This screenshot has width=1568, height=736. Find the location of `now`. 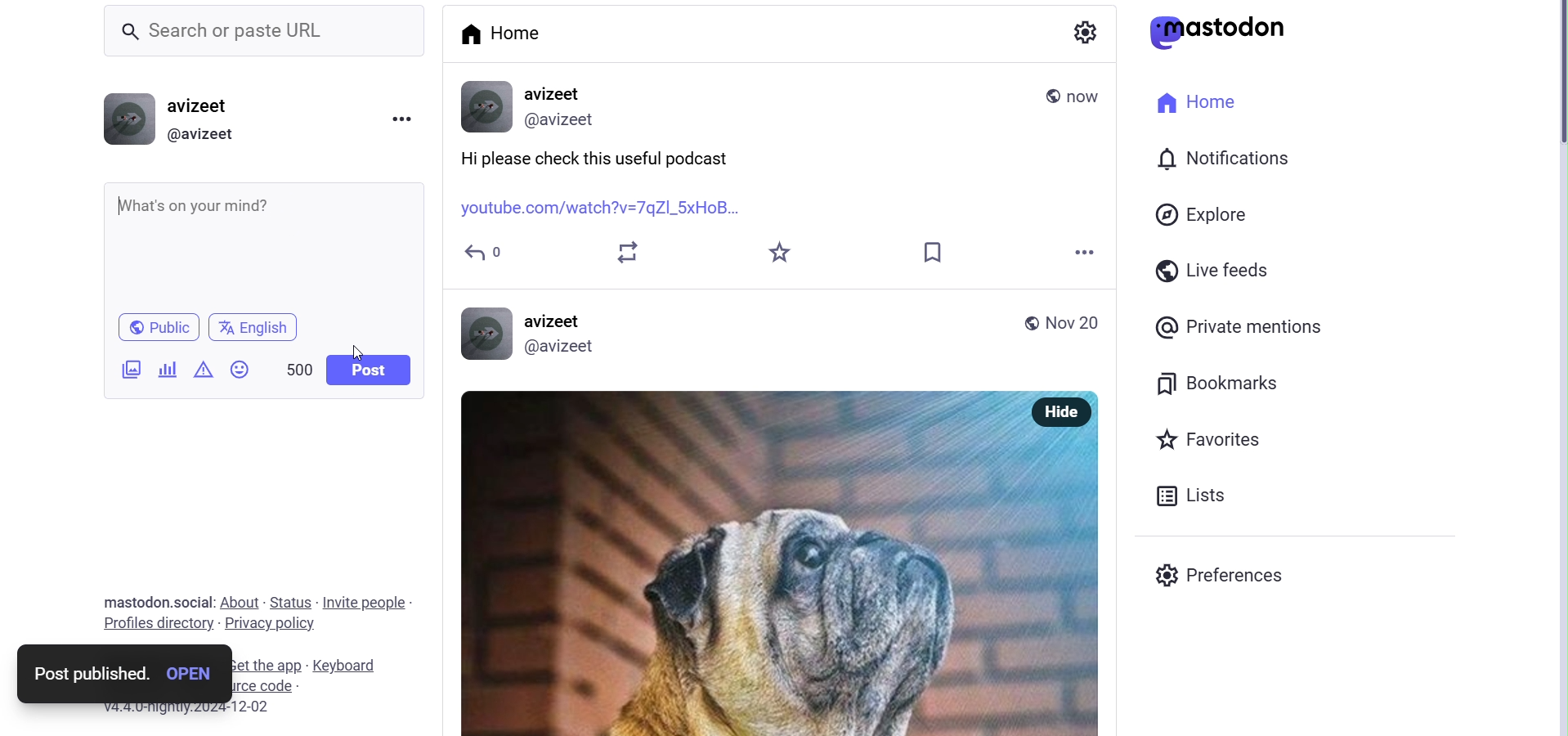

now is located at coordinates (1089, 93).